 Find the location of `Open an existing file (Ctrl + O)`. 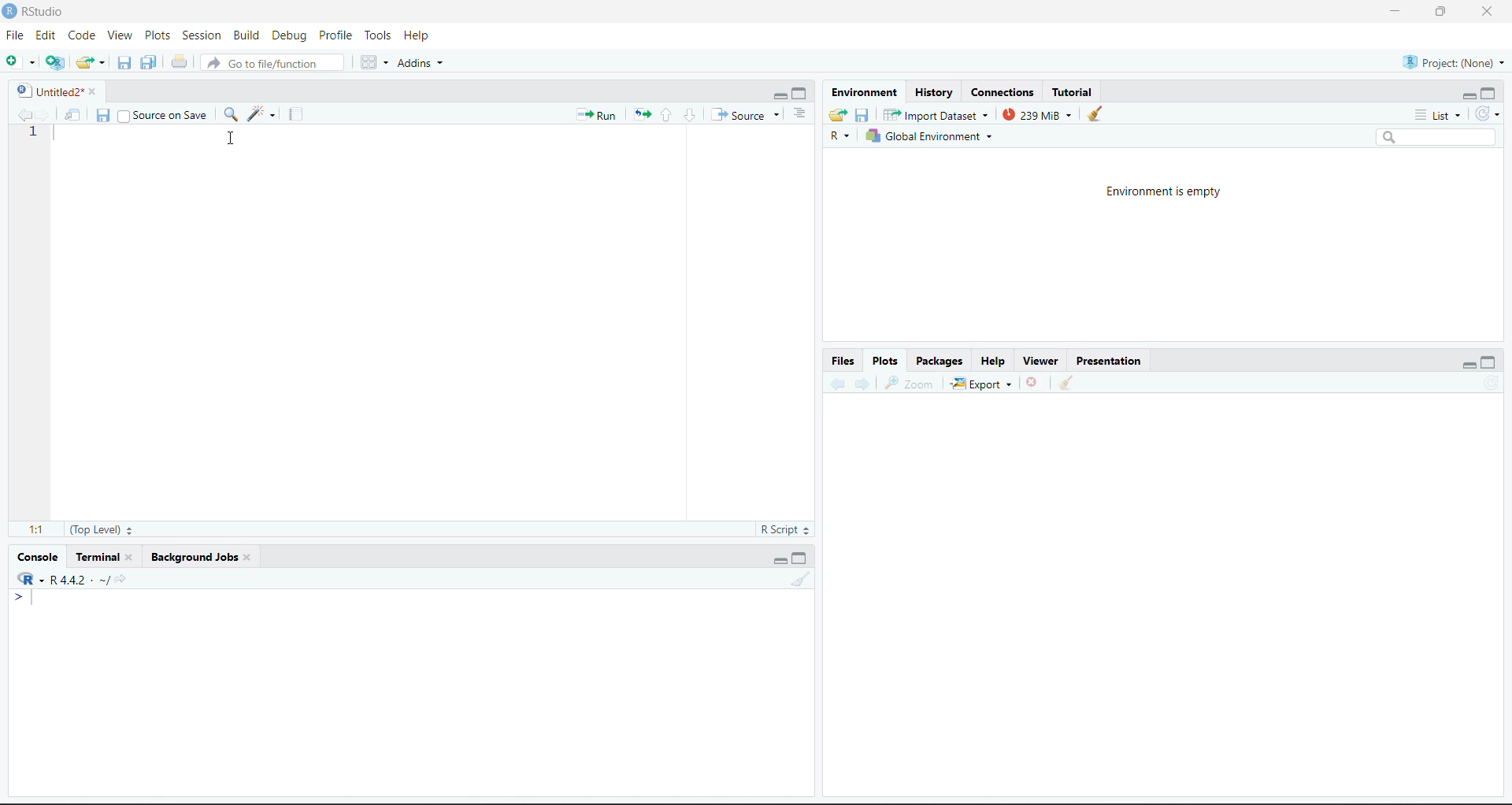

Open an existing file (Ctrl + O) is located at coordinates (91, 60).